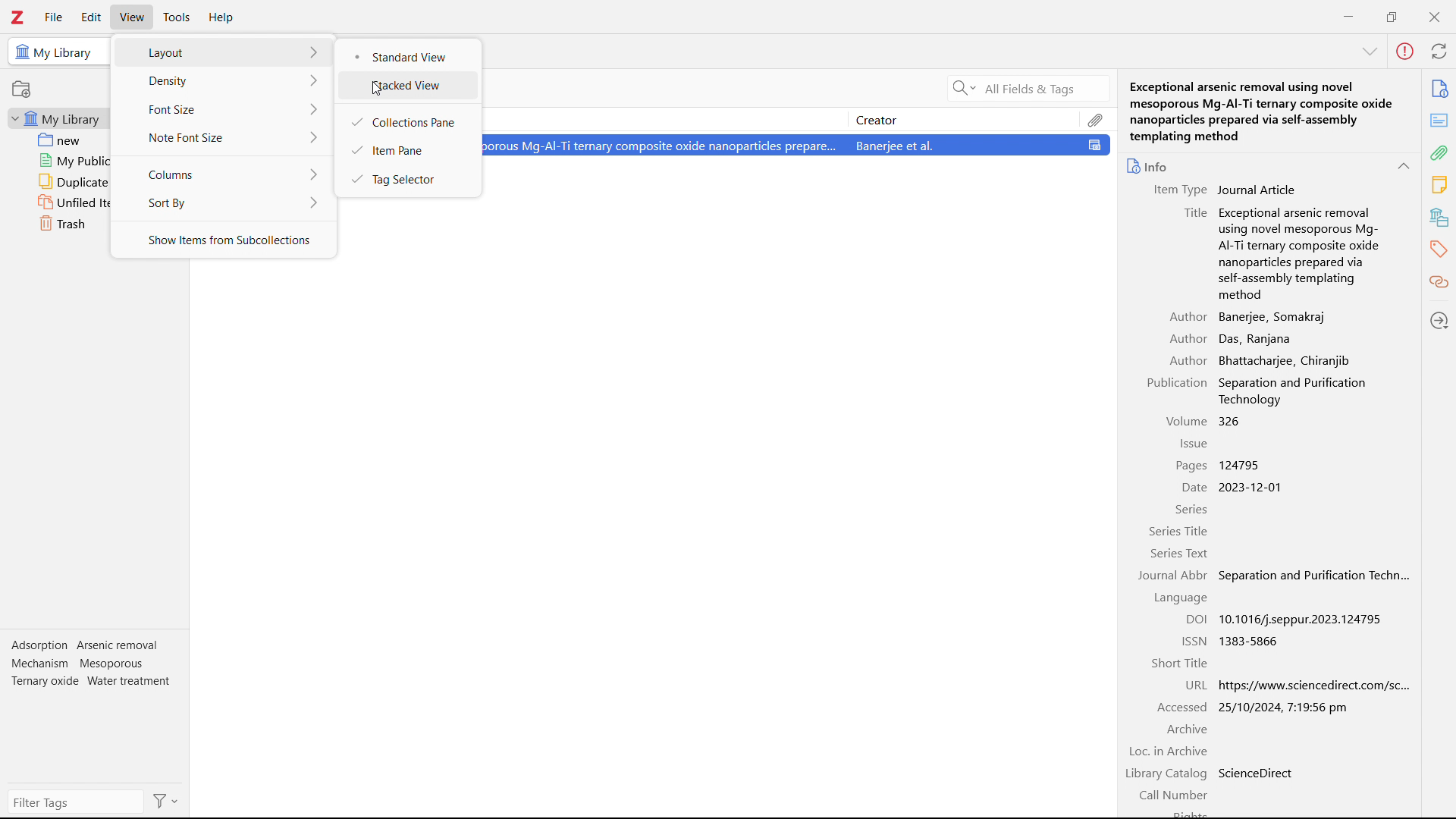 The height and width of the screenshot is (819, 1456). I want to click on Author, so click(1186, 339).